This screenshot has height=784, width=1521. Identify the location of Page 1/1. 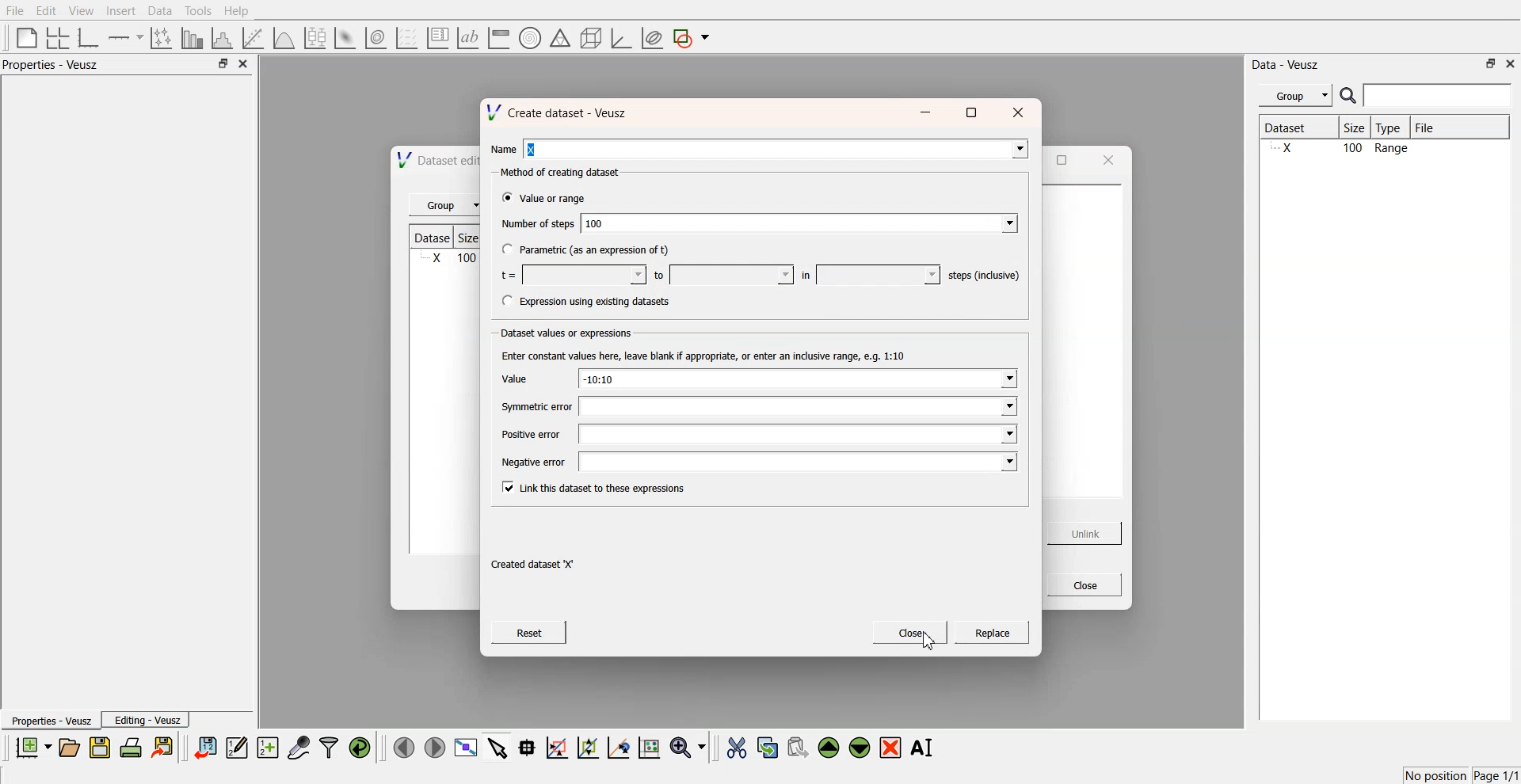
(1497, 776).